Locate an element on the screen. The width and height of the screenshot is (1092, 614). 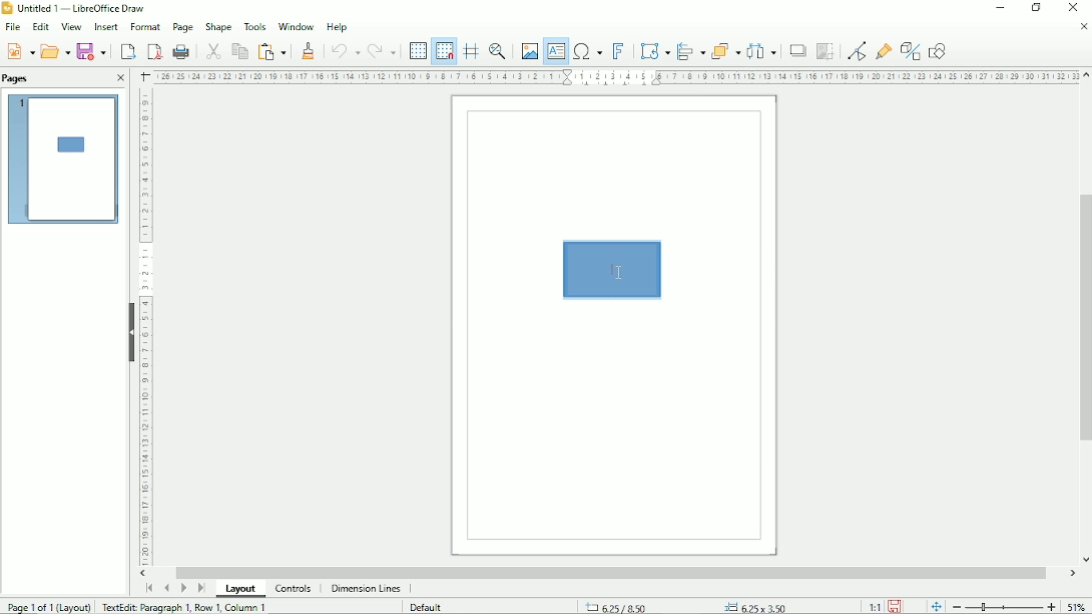
fit page to current window is located at coordinates (936, 607).